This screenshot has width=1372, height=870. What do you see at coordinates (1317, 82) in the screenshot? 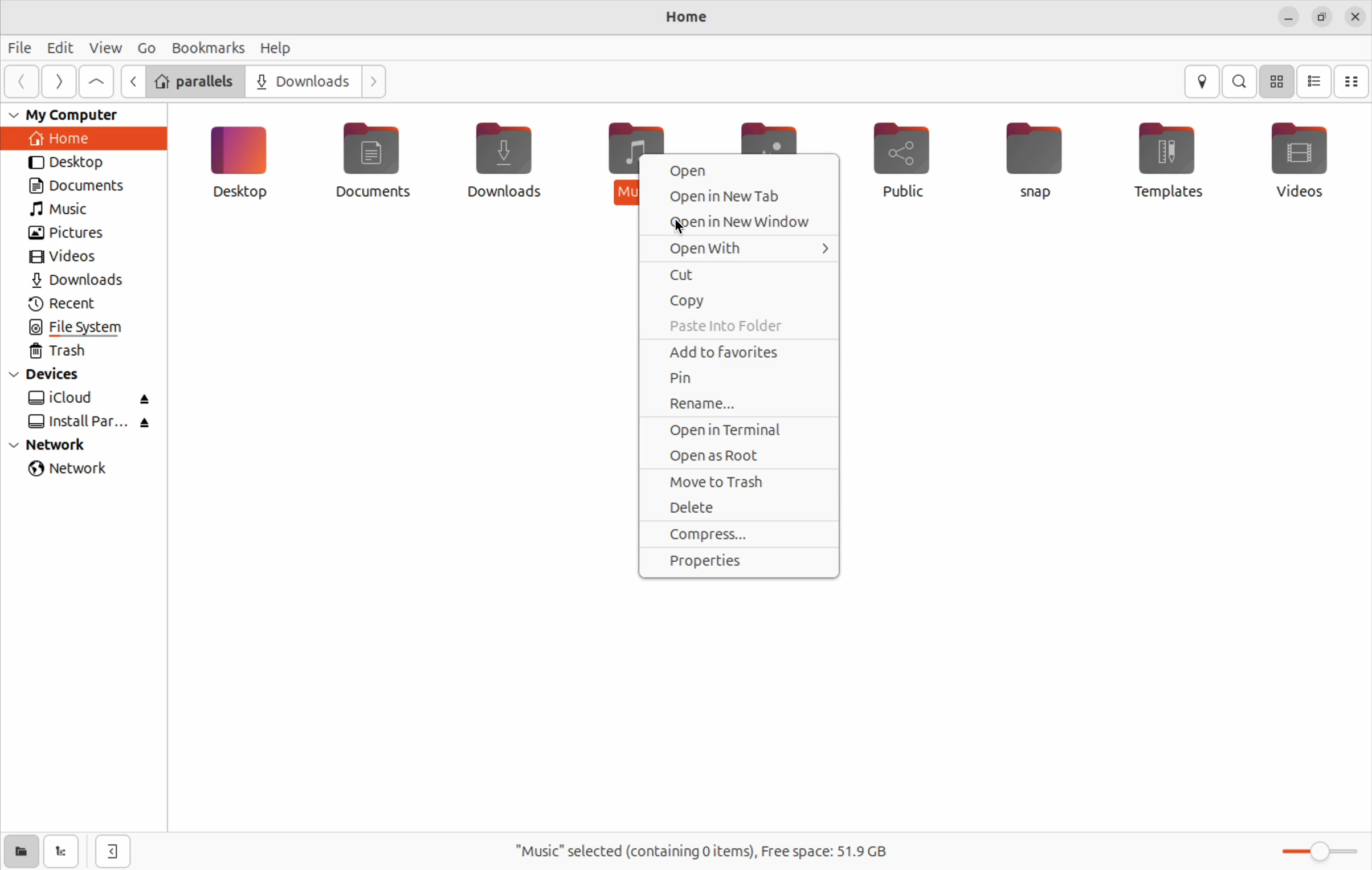
I see `list view` at bounding box center [1317, 82].